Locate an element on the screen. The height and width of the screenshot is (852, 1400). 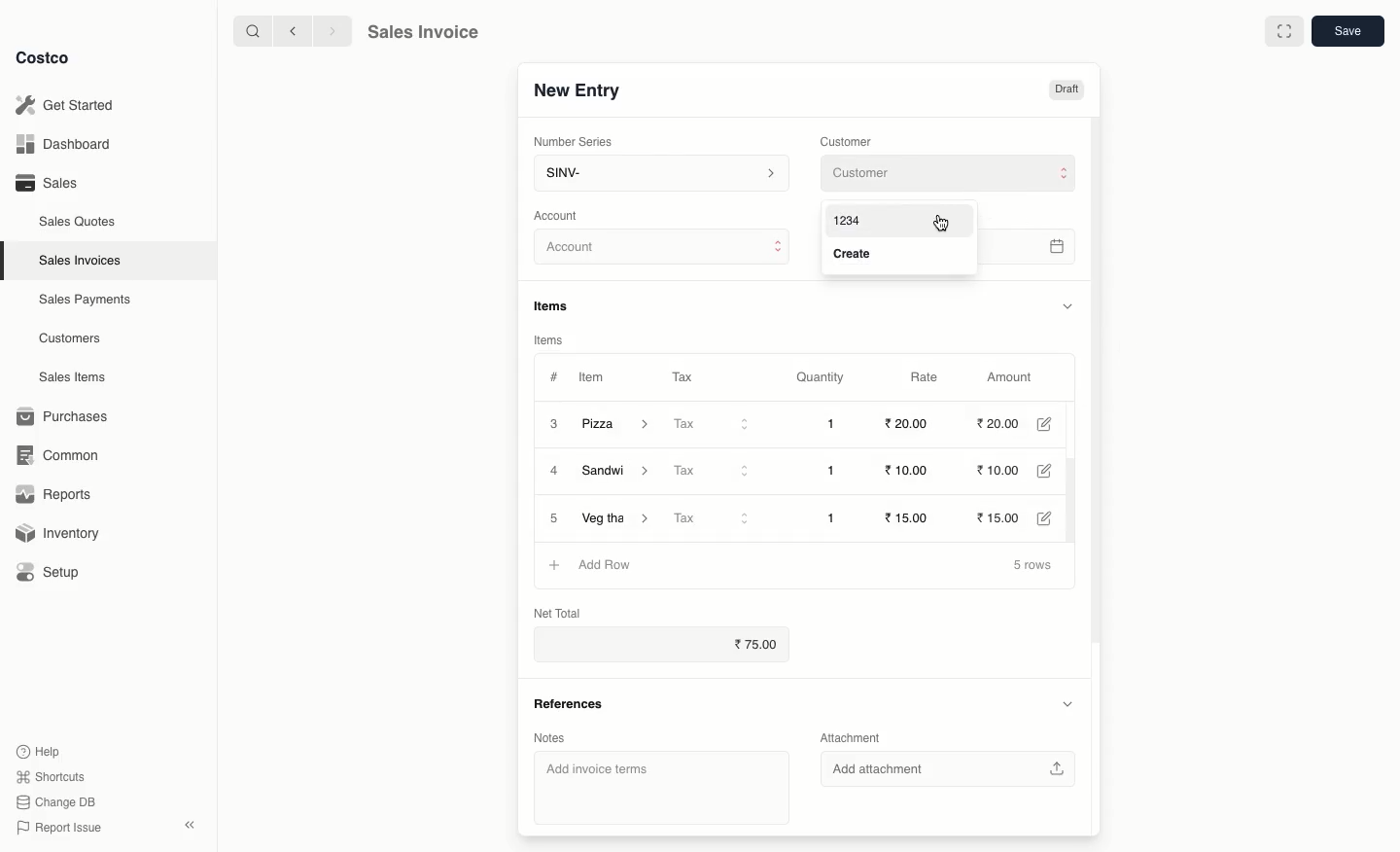
15.00 is located at coordinates (914, 516).